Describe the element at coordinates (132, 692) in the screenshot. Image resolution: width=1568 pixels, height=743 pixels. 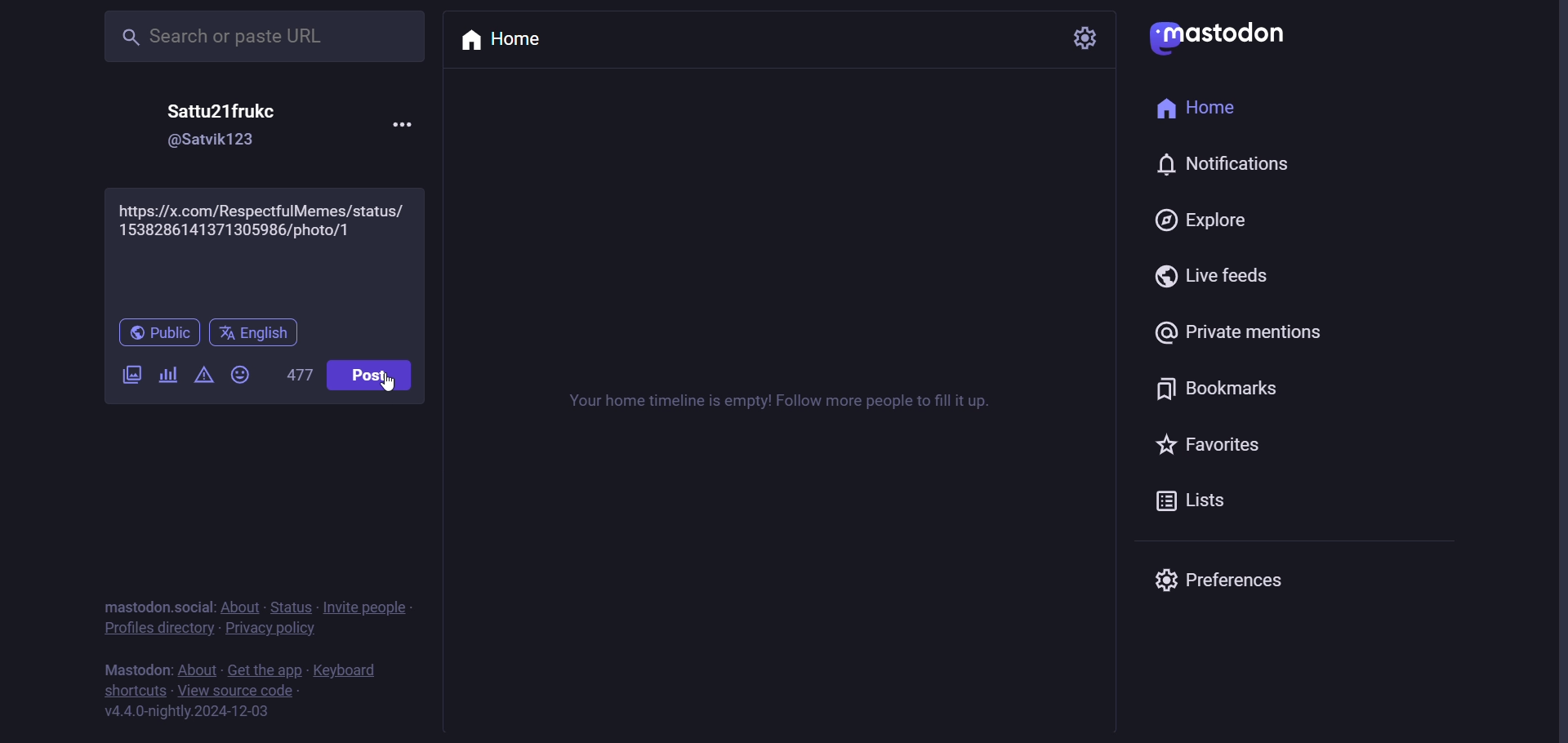
I see `shortcuts` at that location.